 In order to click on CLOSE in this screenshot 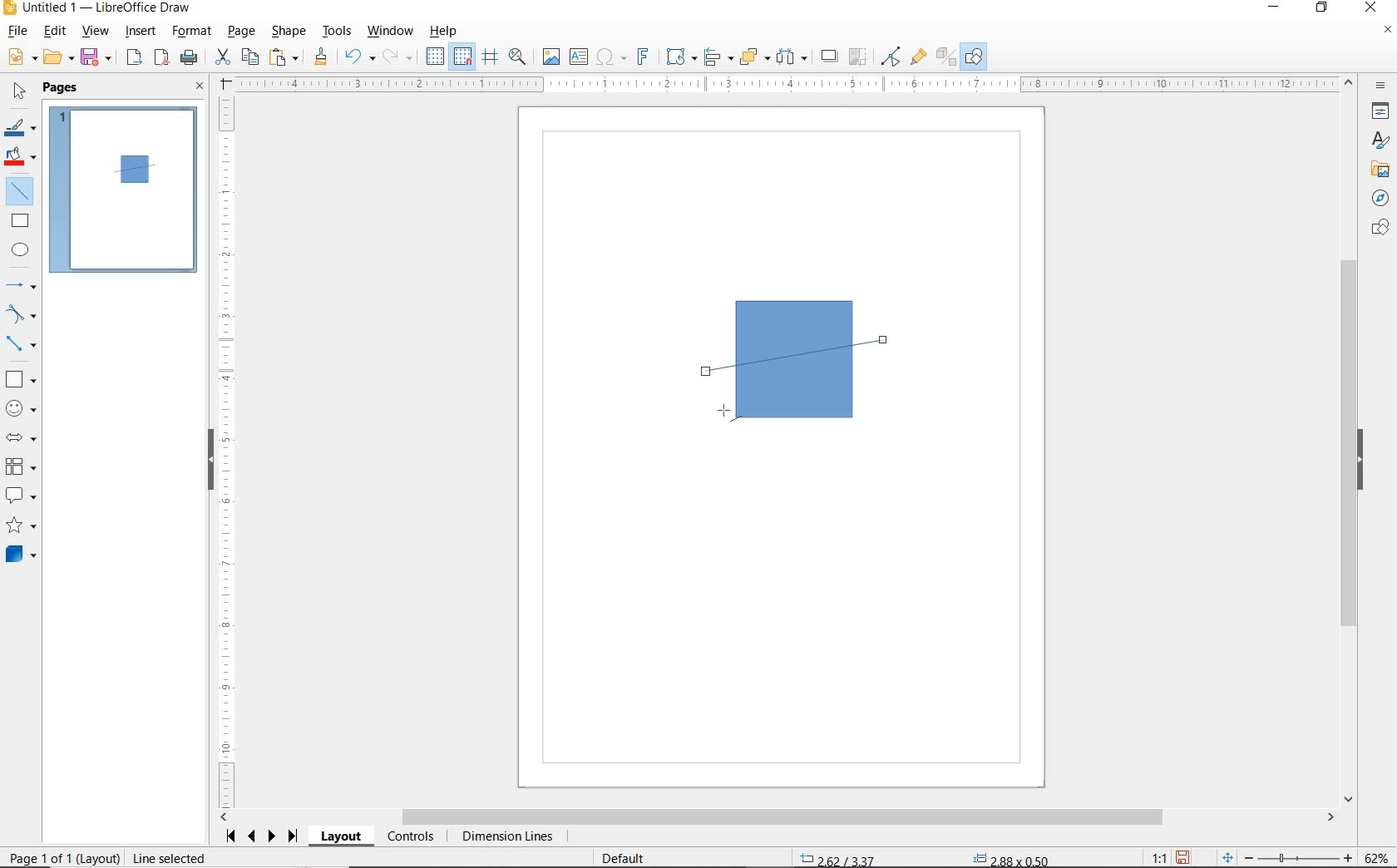, I will do `click(200, 87)`.